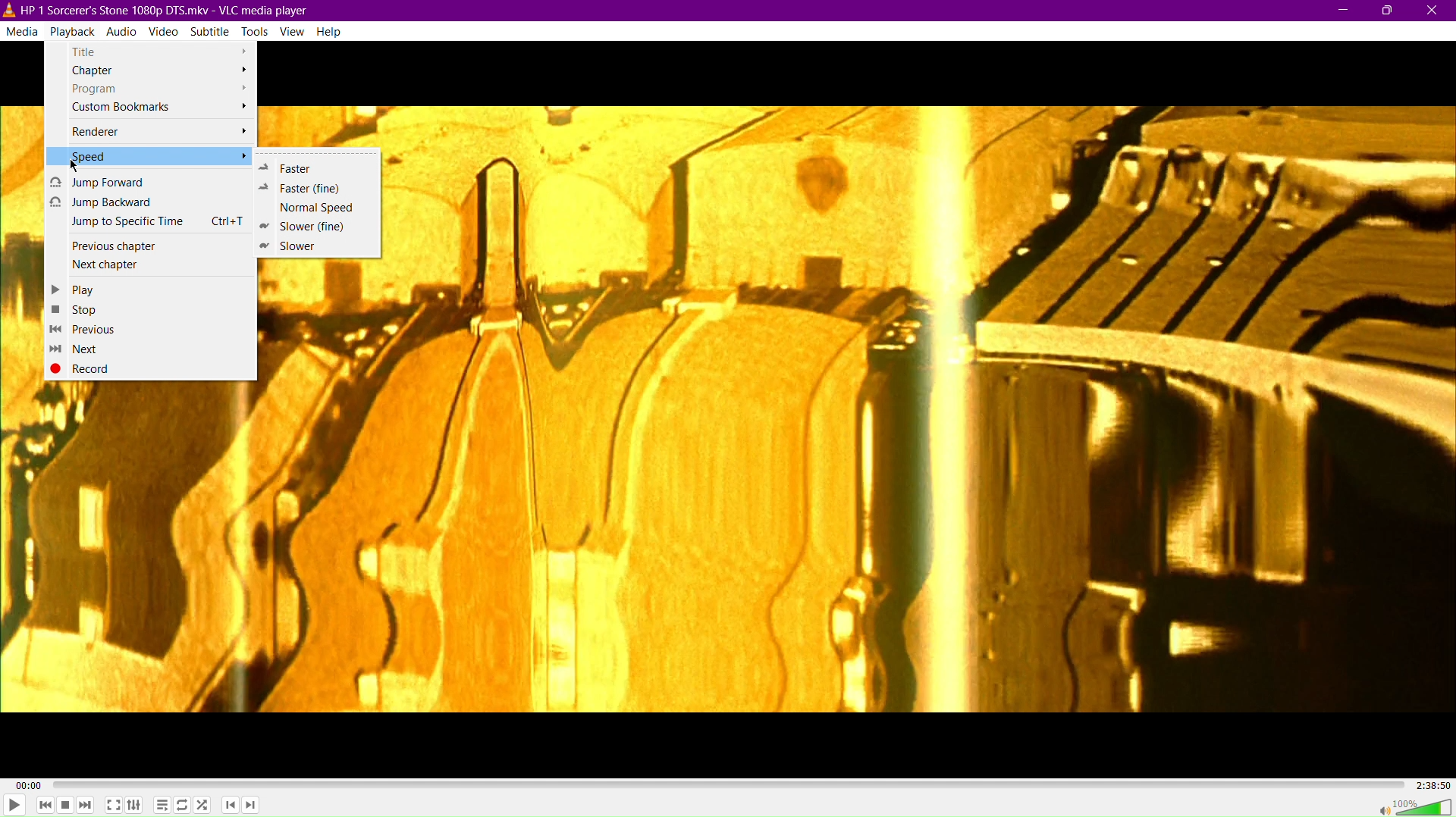  Describe the element at coordinates (204, 806) in the screenshot. I see `Random` at that location.